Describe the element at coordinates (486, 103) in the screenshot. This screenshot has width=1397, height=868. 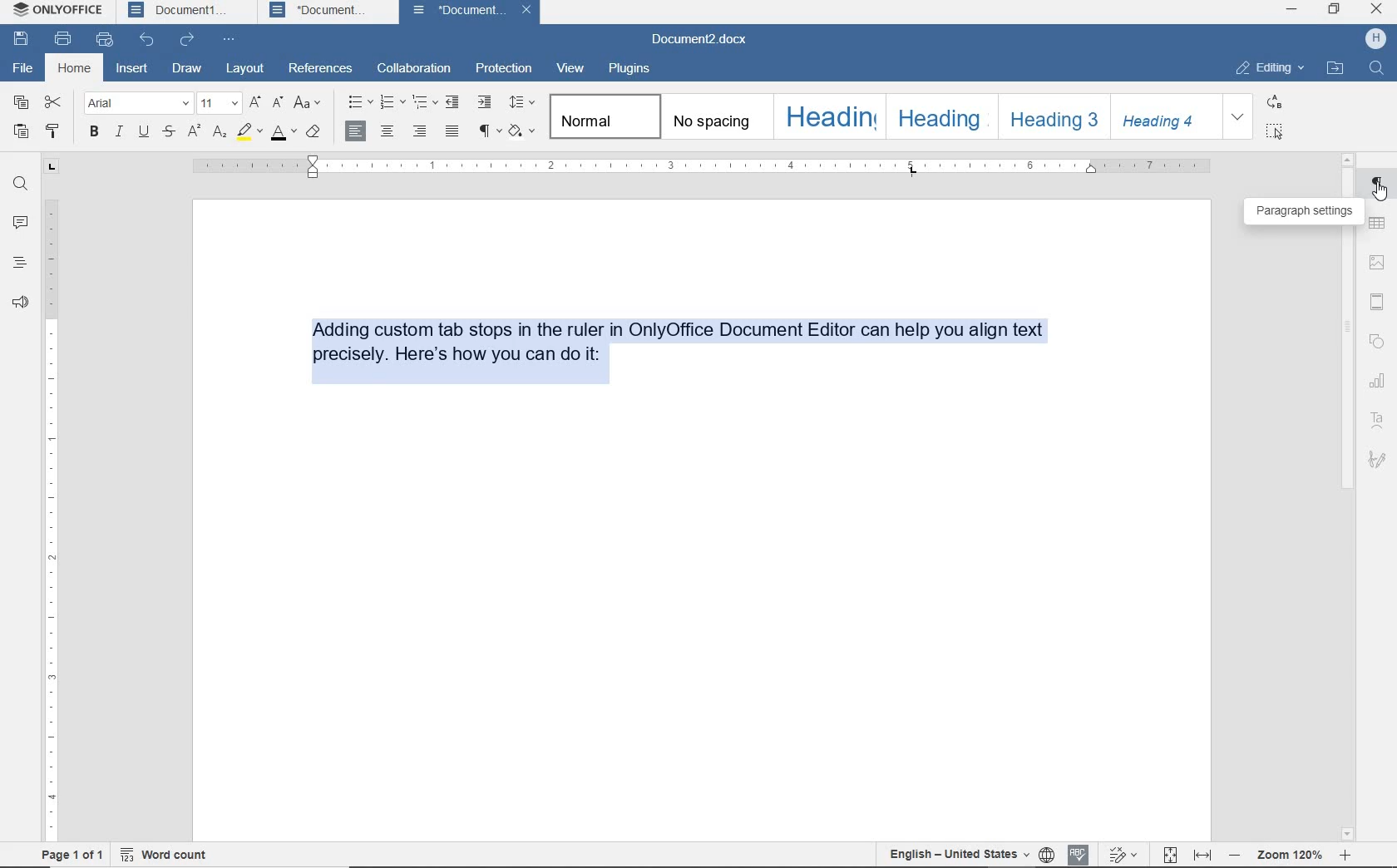
I see `increase indent` at that location.